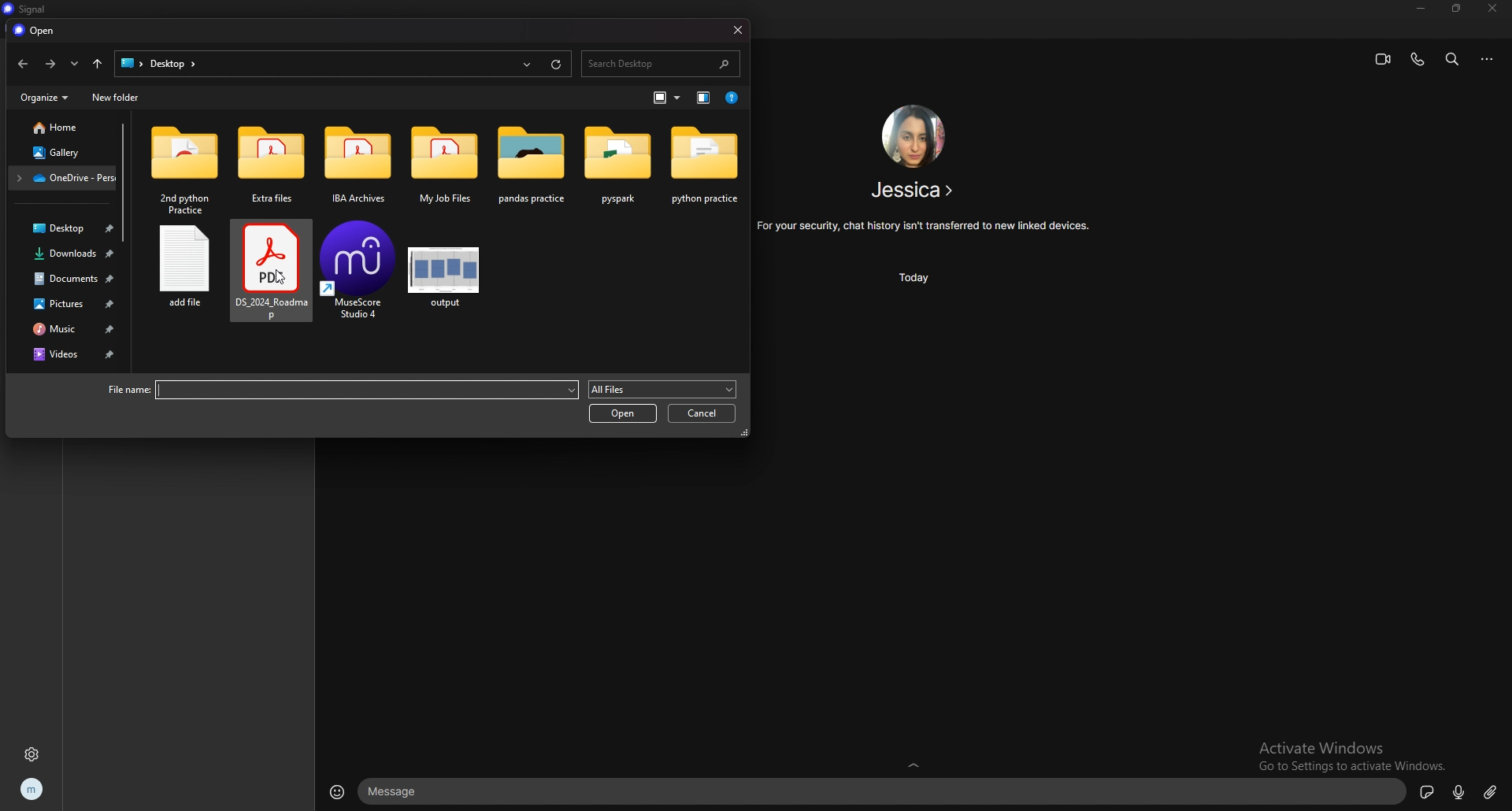 This screenshot has height=811, width=1512. Describe the element at coordinates (63, 177) in the screenshot. I see `folder` at that location.